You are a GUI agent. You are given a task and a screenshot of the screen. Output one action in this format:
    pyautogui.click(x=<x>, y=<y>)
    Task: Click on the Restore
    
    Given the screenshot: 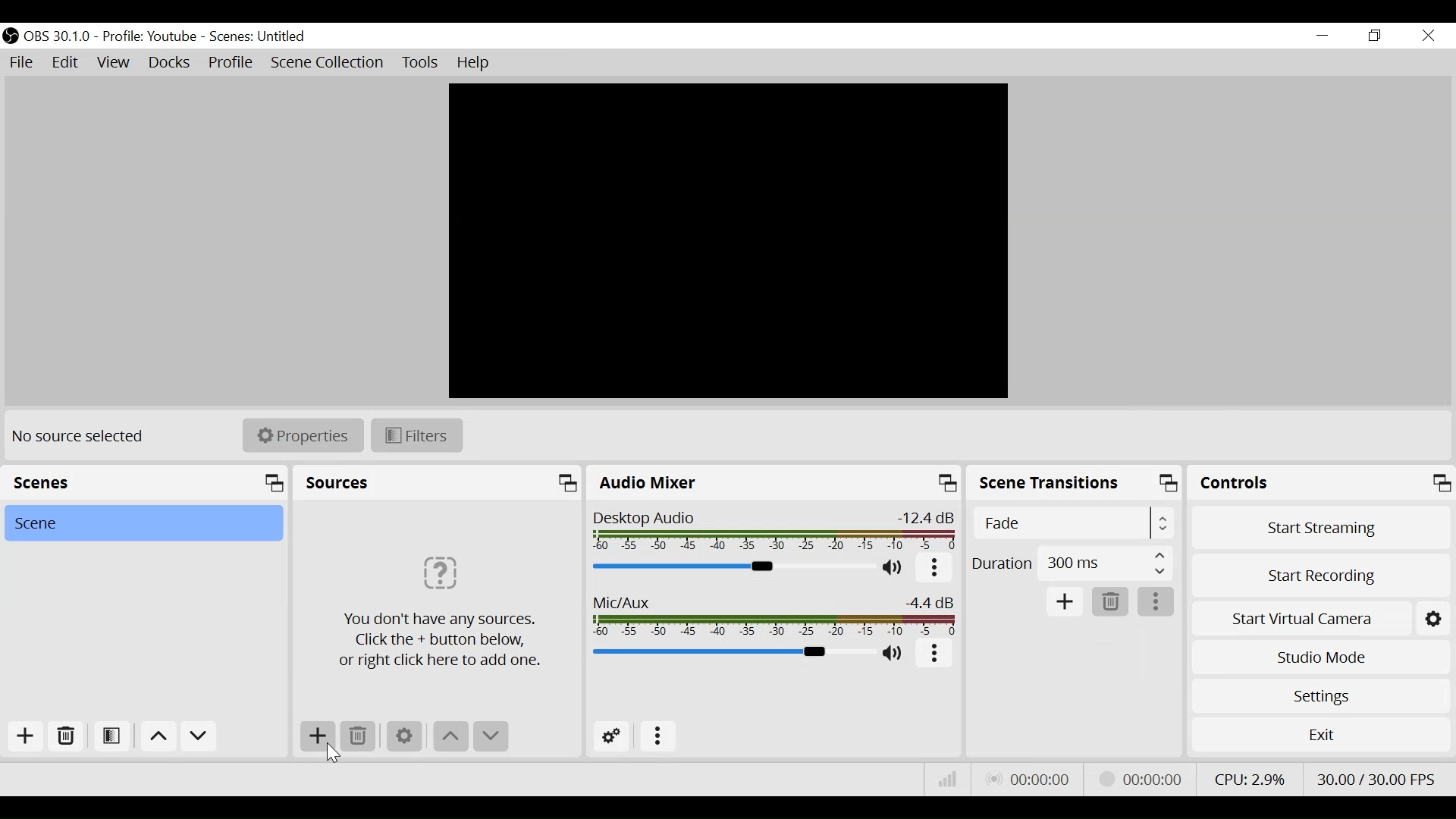 What is the action you would take?
    pyautogui.click(x=1379, y=36)
    